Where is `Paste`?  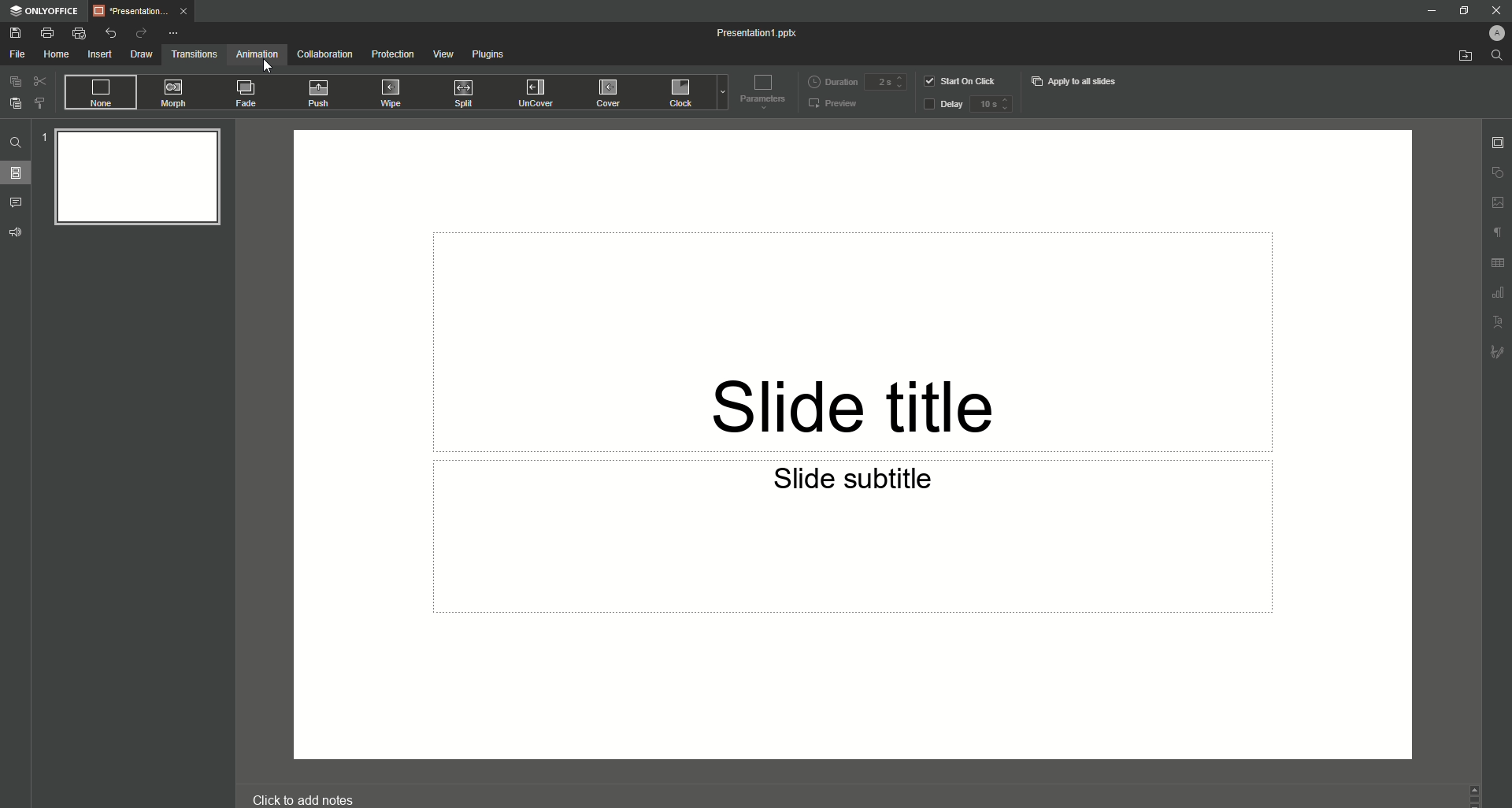 Paste is located at coordinates (14, 104).